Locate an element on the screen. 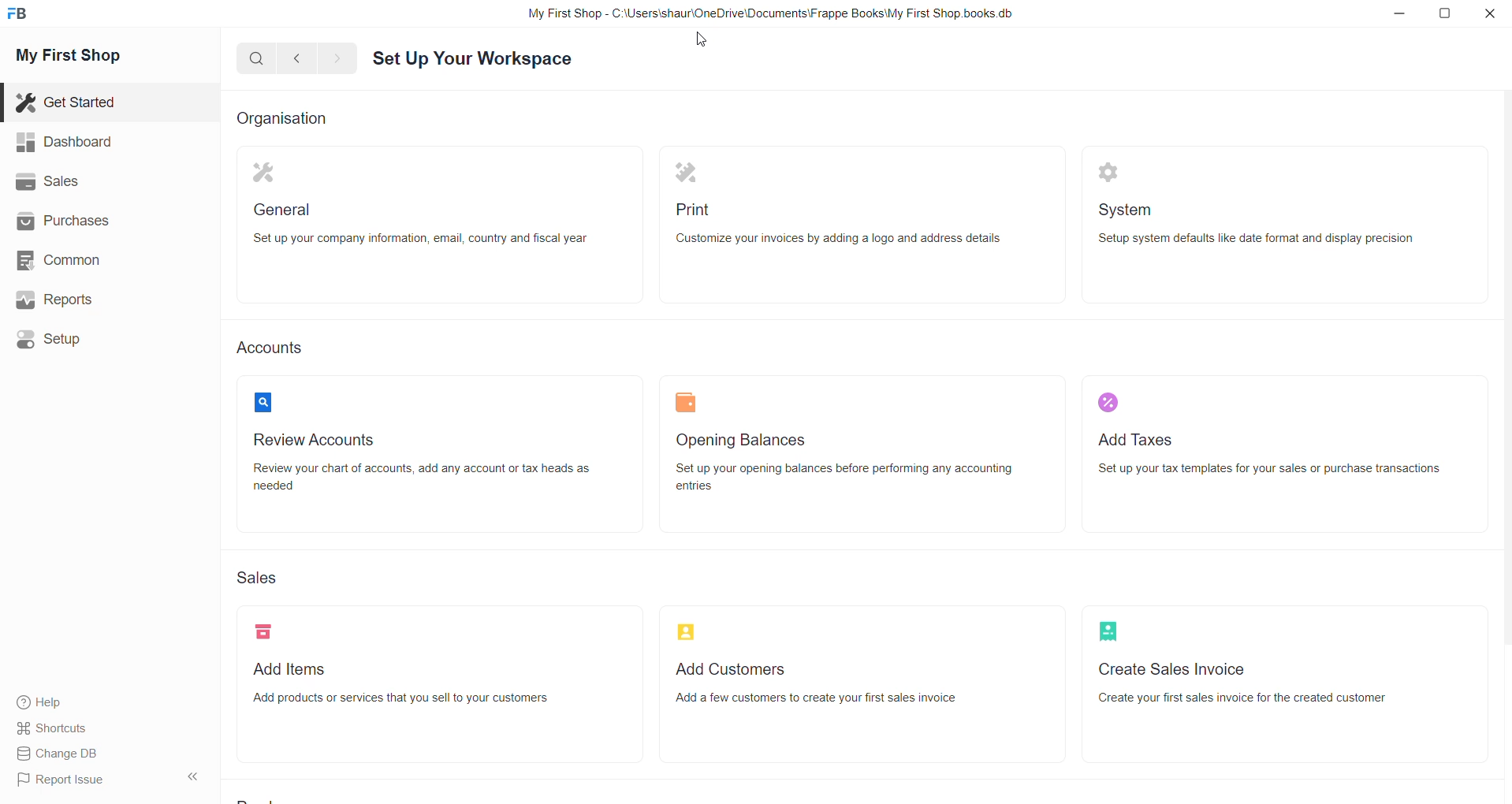  Shortcuts is located at coordinates (54, 727).